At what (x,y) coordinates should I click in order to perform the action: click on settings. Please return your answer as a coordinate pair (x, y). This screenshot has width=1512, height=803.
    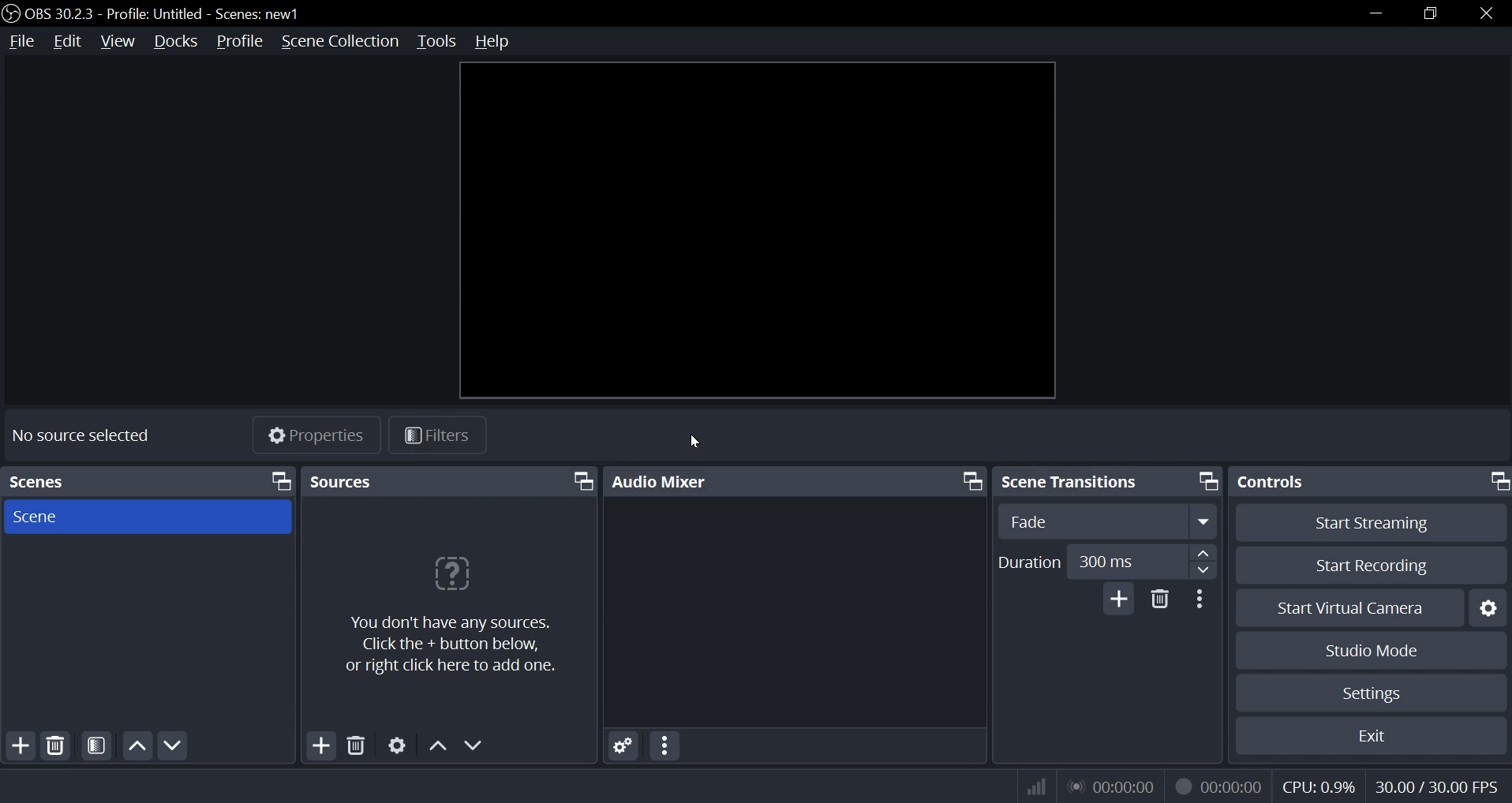
    Looking at the image, I should click on (395, 746).